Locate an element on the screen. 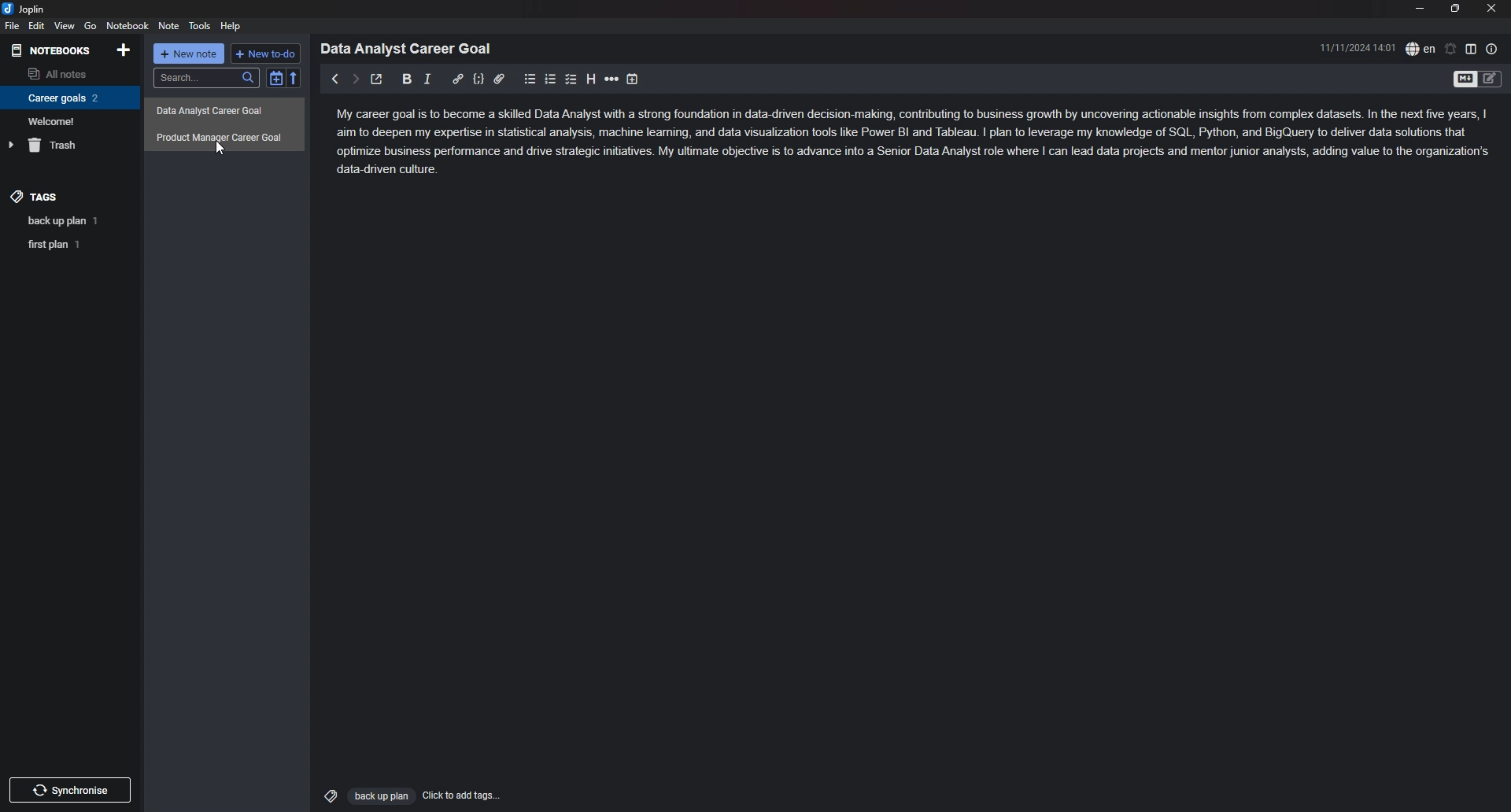  heading is located at coordinates (591, 79).